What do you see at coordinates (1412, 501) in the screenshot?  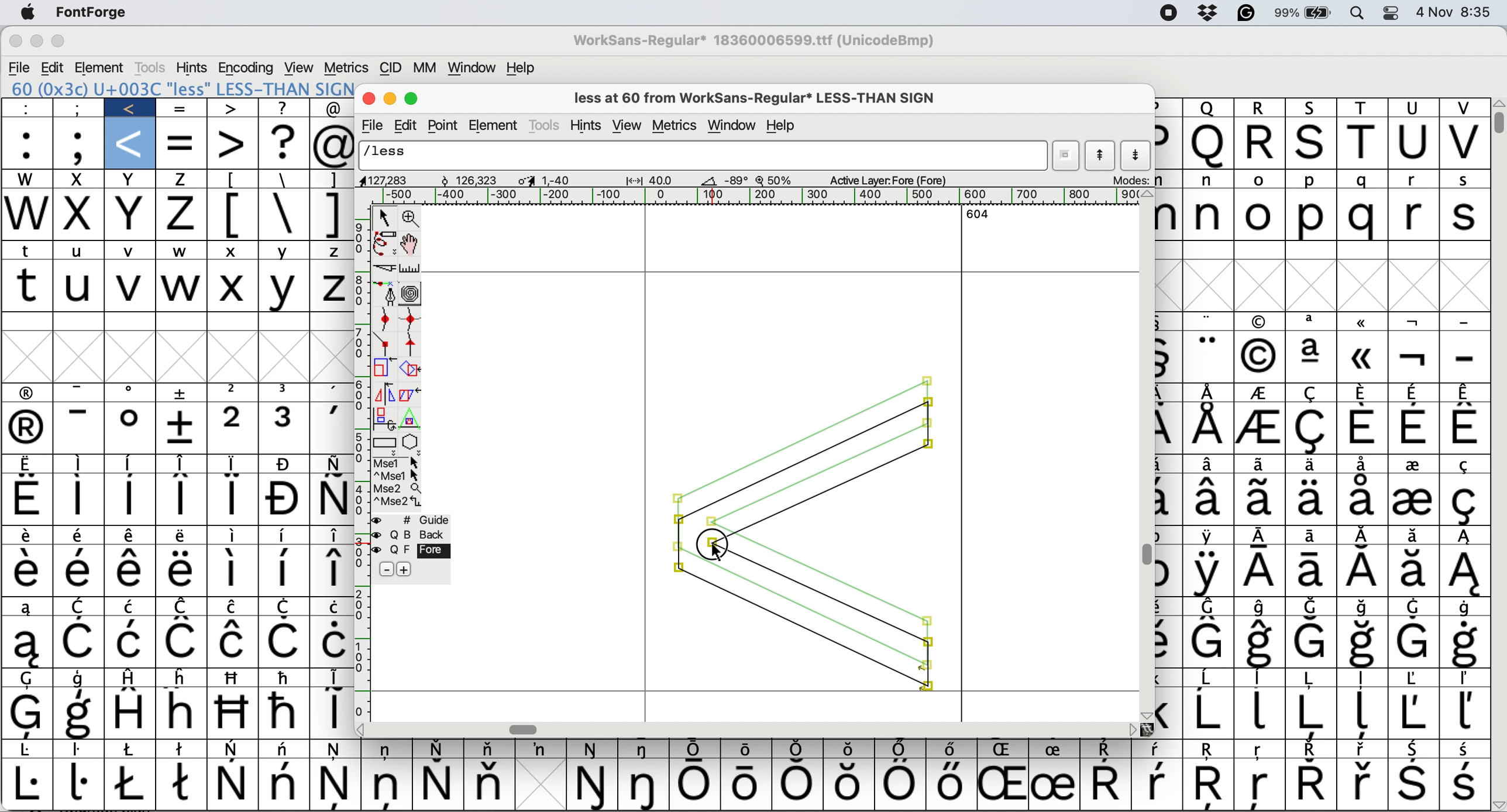 I see `Symbol` at bounding box center [1412, 501].